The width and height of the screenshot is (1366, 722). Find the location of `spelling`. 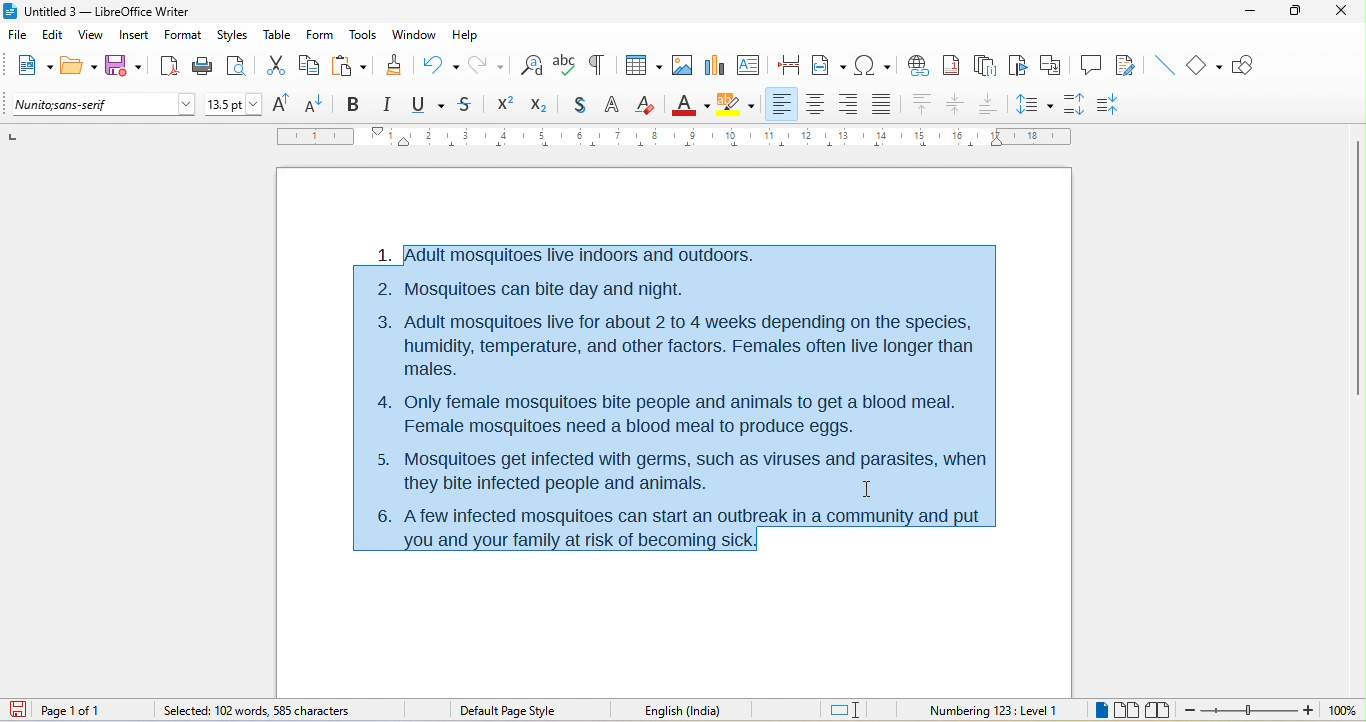

spelling is located at coordinates (565, 67).